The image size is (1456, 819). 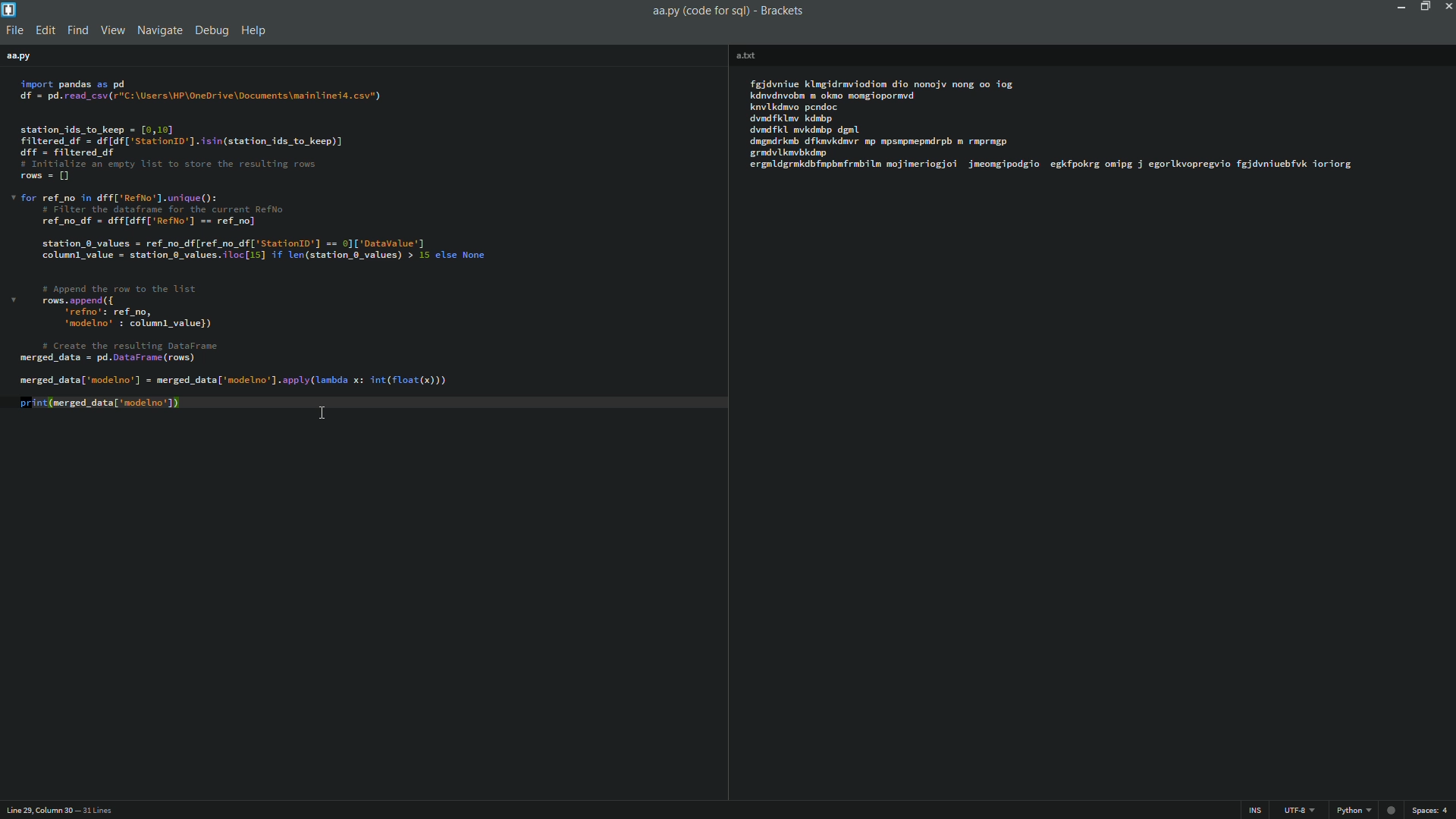 What do you see at coordinates (161, 31) in the screenshot?
I see `navigate menu` at bounding box center [161, 31].